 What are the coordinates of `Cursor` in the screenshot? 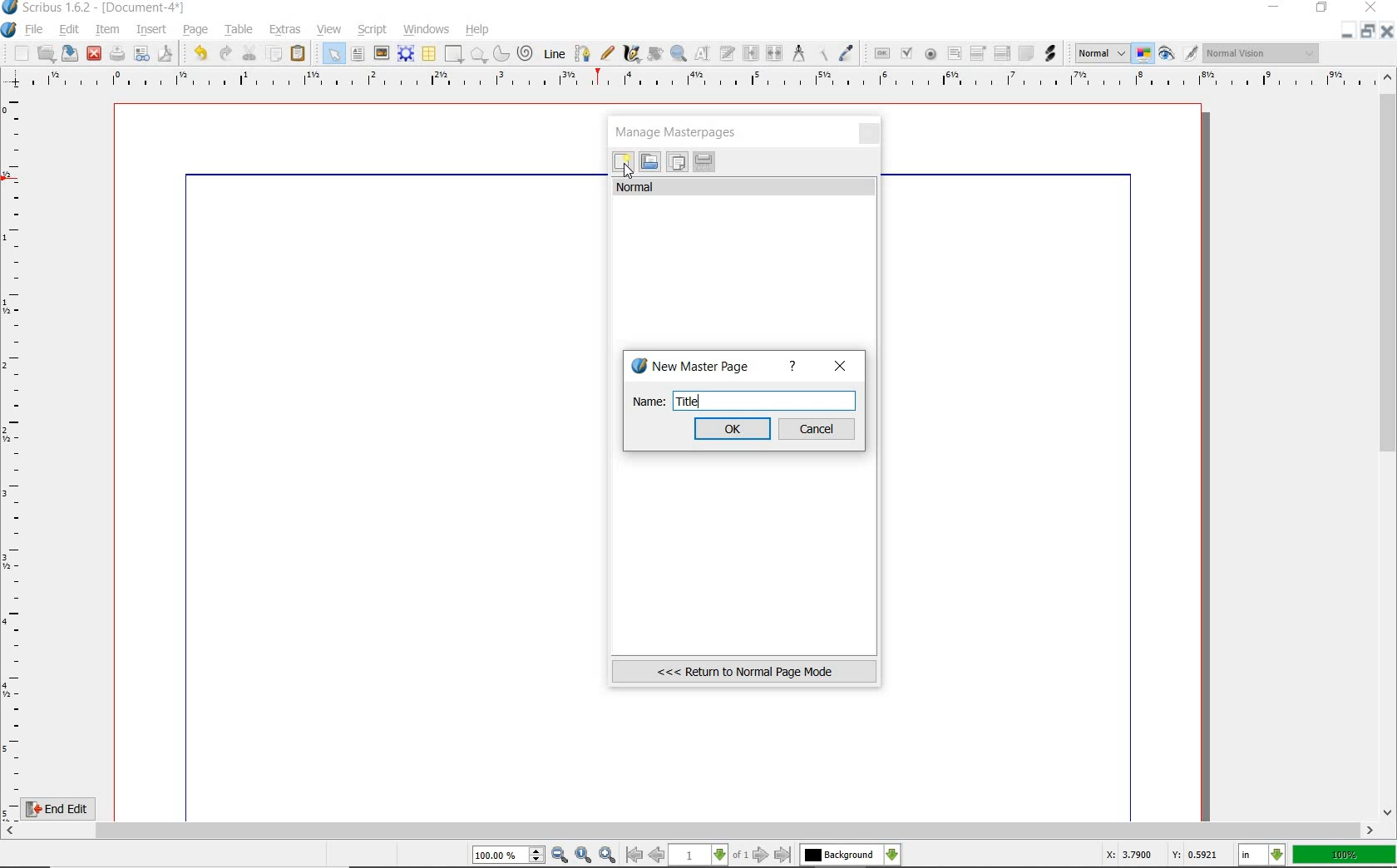 It's located at (628, 170).